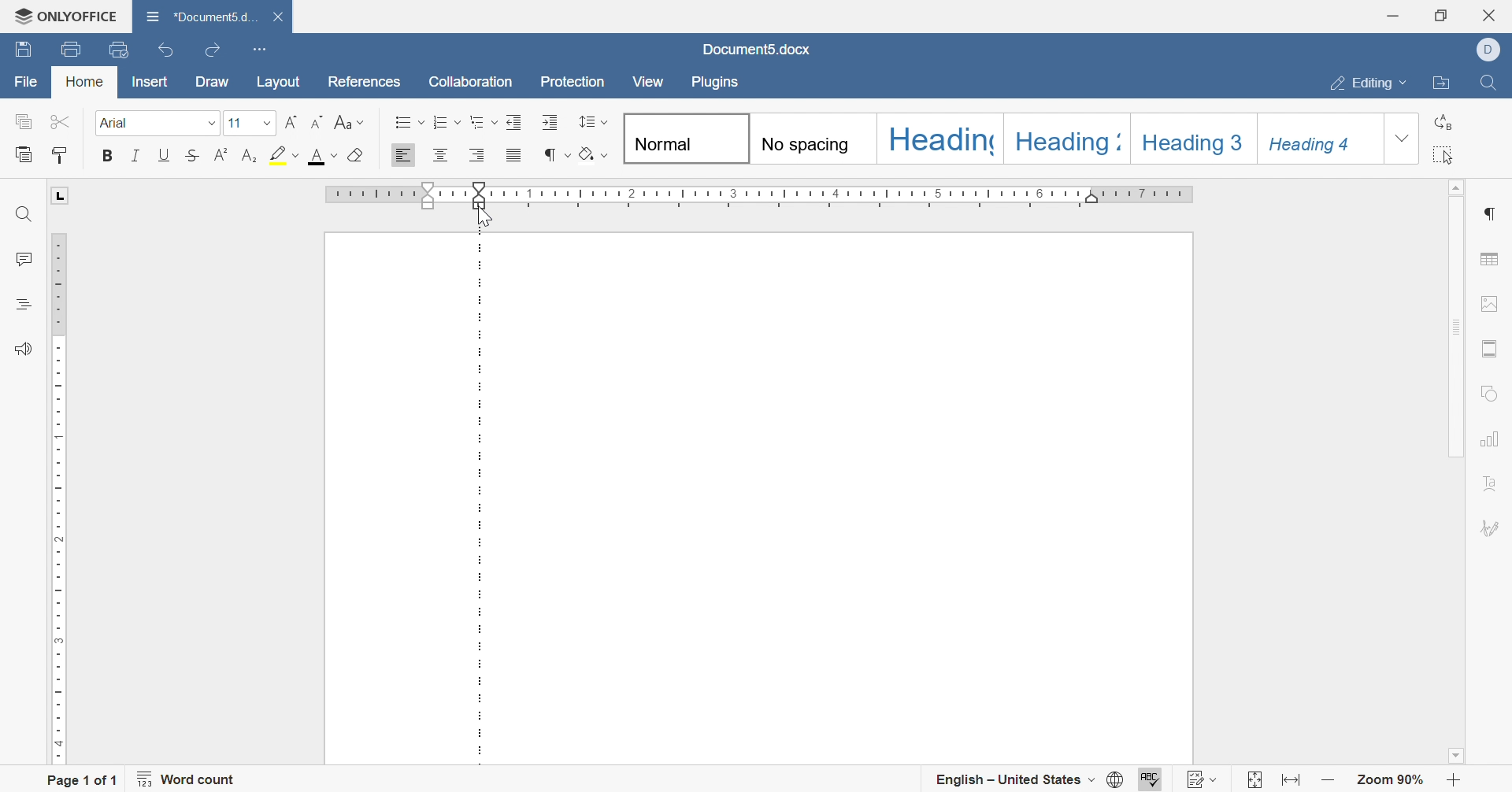 The width and height of the screenshot is (1512, 792). What do you see at coordinates (1403, 140) in the screenshot?
I see `drop down` at bounding box center [1403, 140].